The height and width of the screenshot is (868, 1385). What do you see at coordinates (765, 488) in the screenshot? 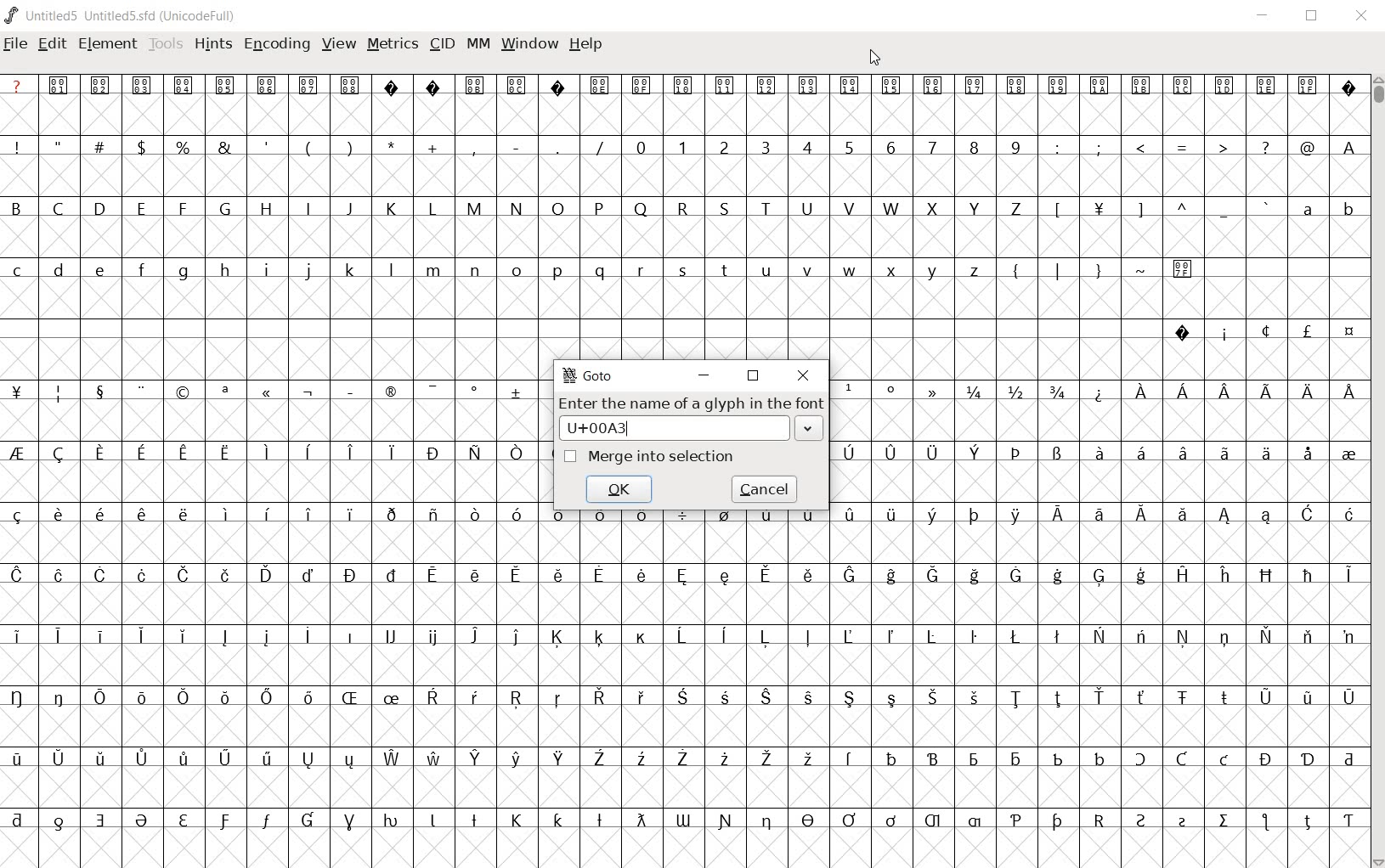
I see `cancel` at bounding box center [765, 488].